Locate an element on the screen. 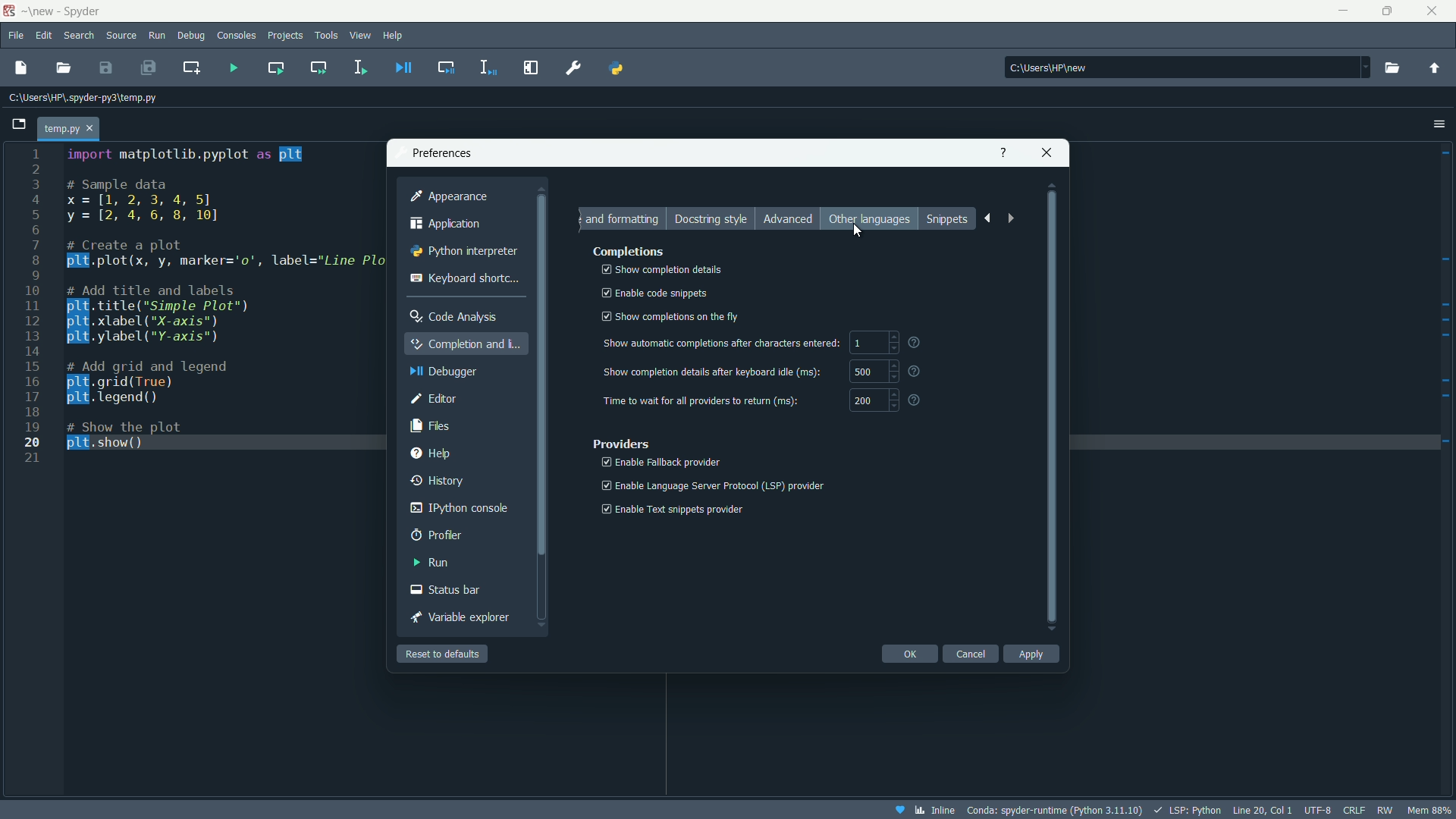  maximize current pane is located at coordinates (532, 67).